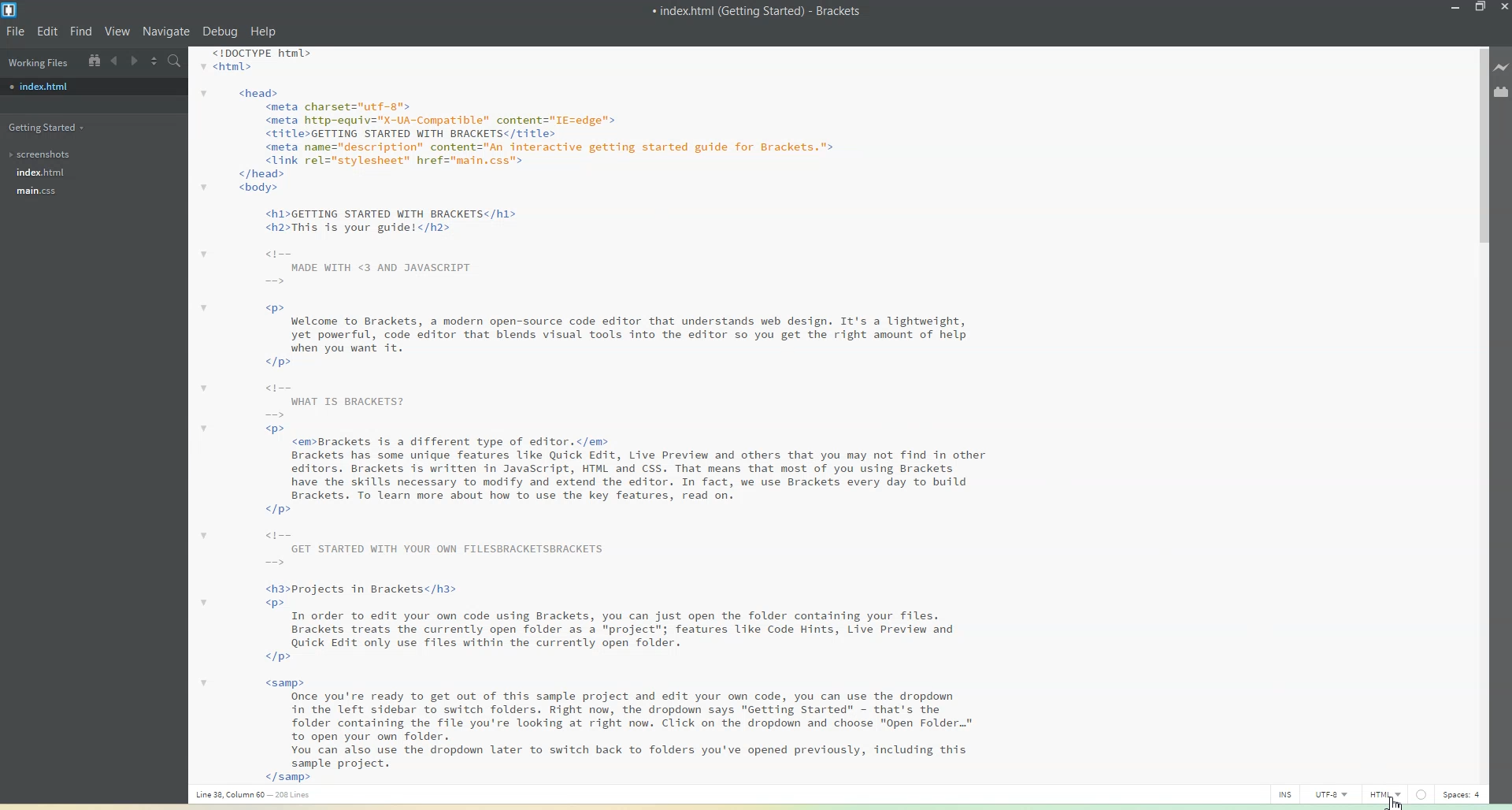  I want to click on Show in file Tree, so click(93, 60).